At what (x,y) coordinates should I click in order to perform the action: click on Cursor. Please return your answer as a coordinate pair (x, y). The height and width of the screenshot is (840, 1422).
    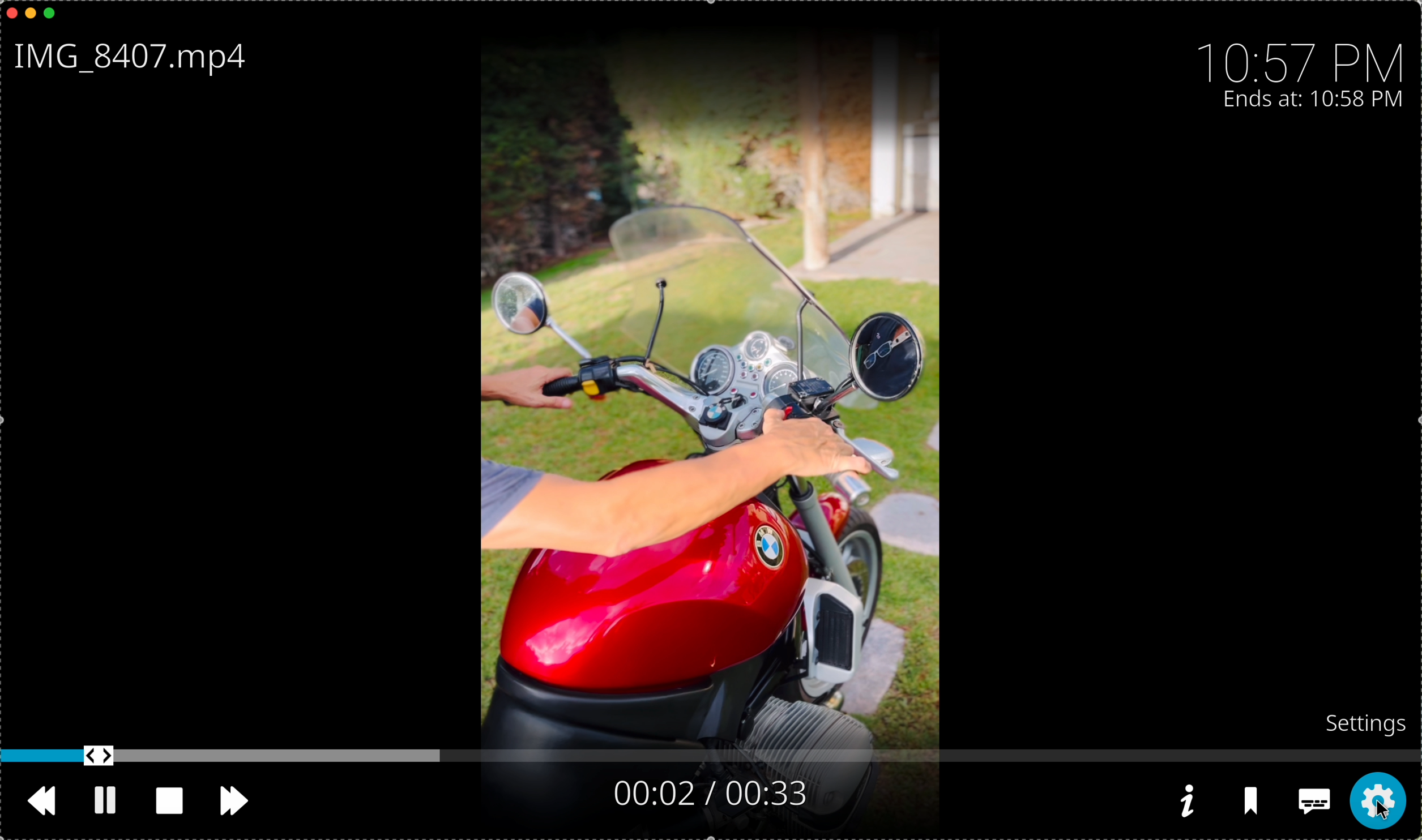
    Looking at the image, I should click on (1376, 808).